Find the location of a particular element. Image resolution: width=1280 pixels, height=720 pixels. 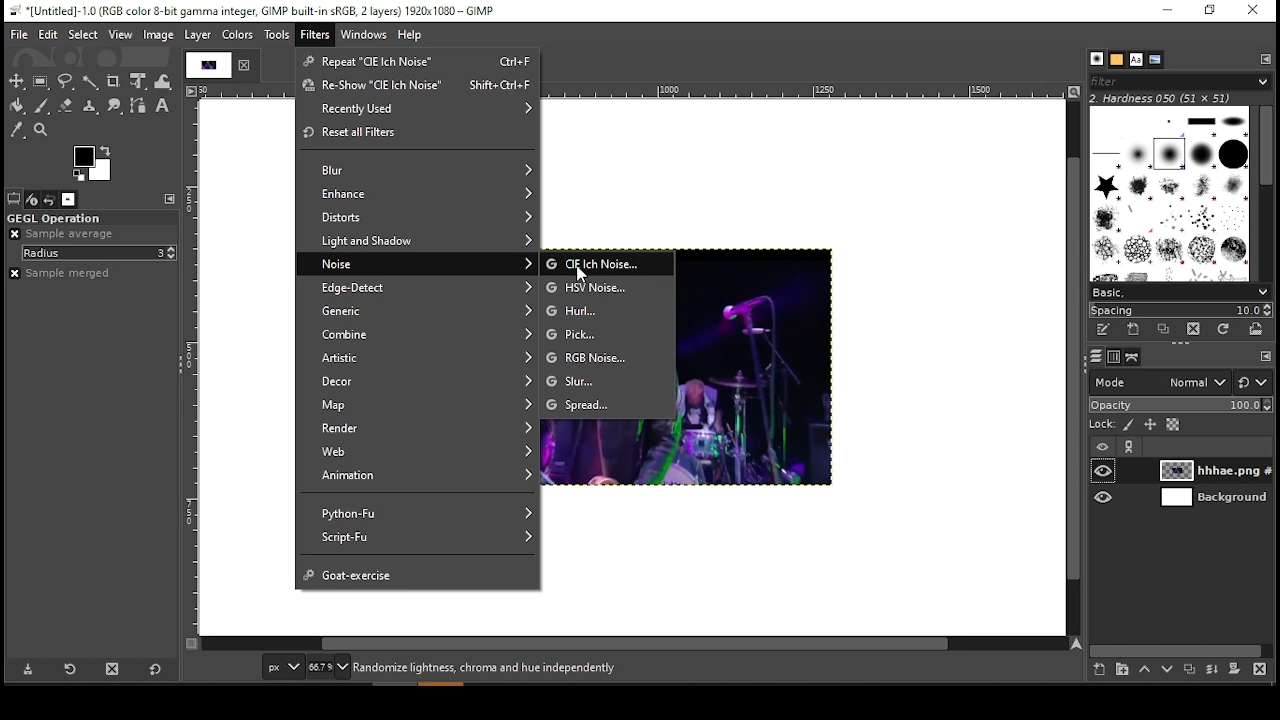

patterns is located at coordinates (1117, 60).